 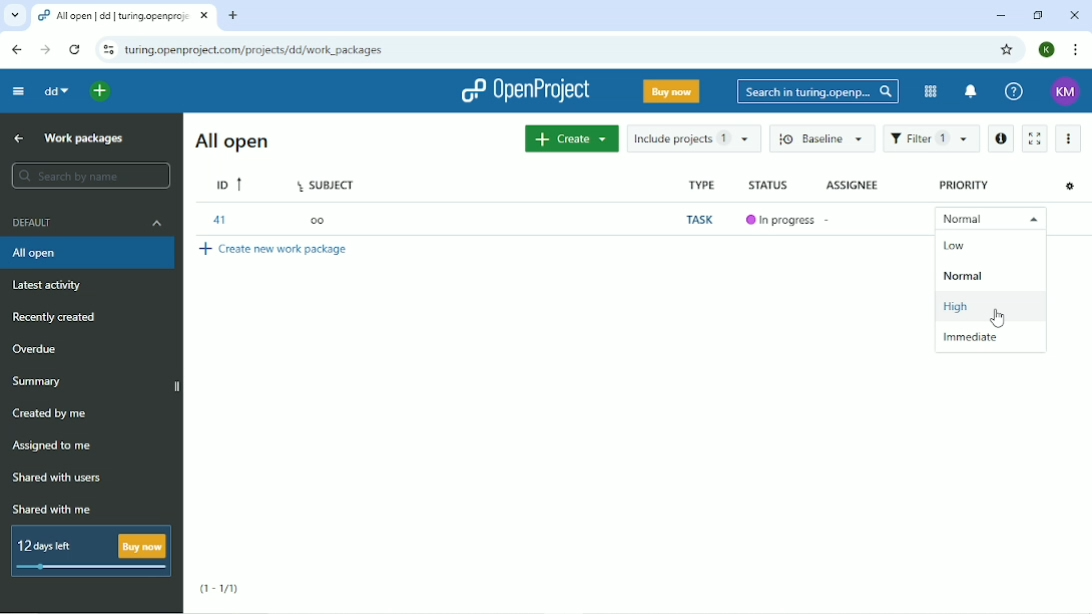 I want to click on Work packages, so click(x=87, y=138).